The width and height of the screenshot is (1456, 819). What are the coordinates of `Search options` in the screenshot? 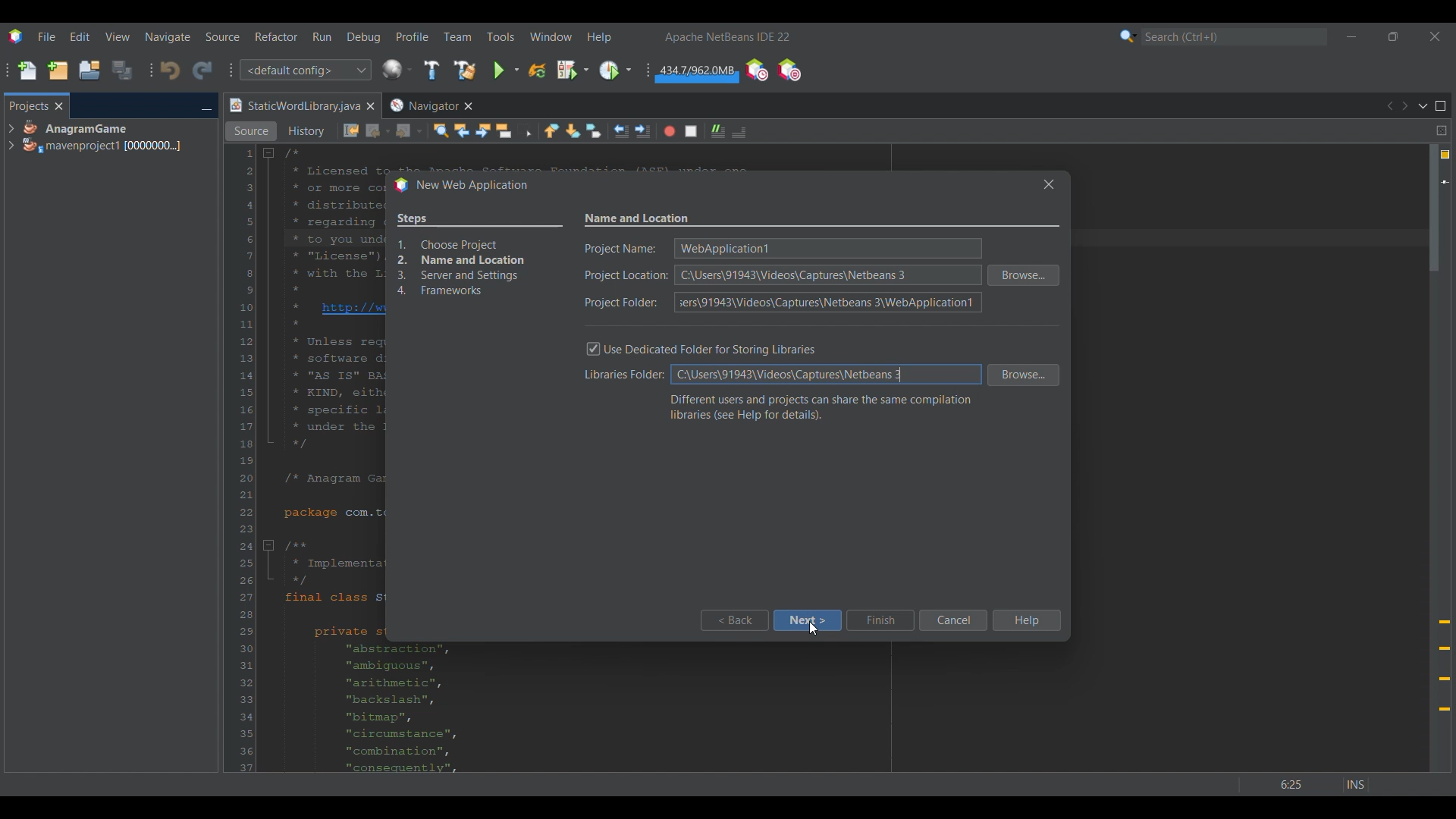 It's located at (1128, 36).